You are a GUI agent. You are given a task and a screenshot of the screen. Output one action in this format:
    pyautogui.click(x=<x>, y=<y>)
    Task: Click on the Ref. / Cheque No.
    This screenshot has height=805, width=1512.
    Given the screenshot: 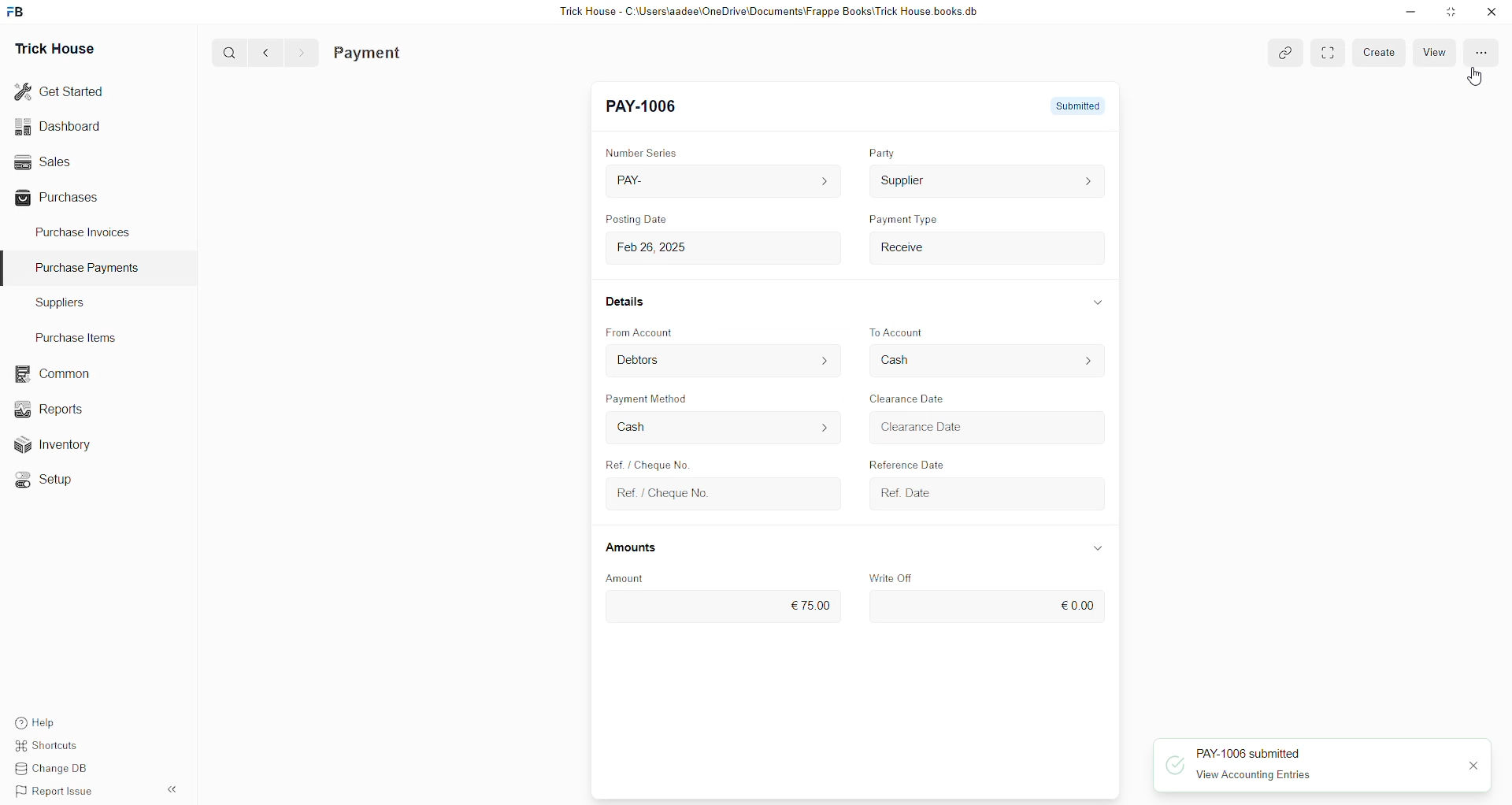 What is the action you would take?
    pyautogui.click(x=719, y=492)
    